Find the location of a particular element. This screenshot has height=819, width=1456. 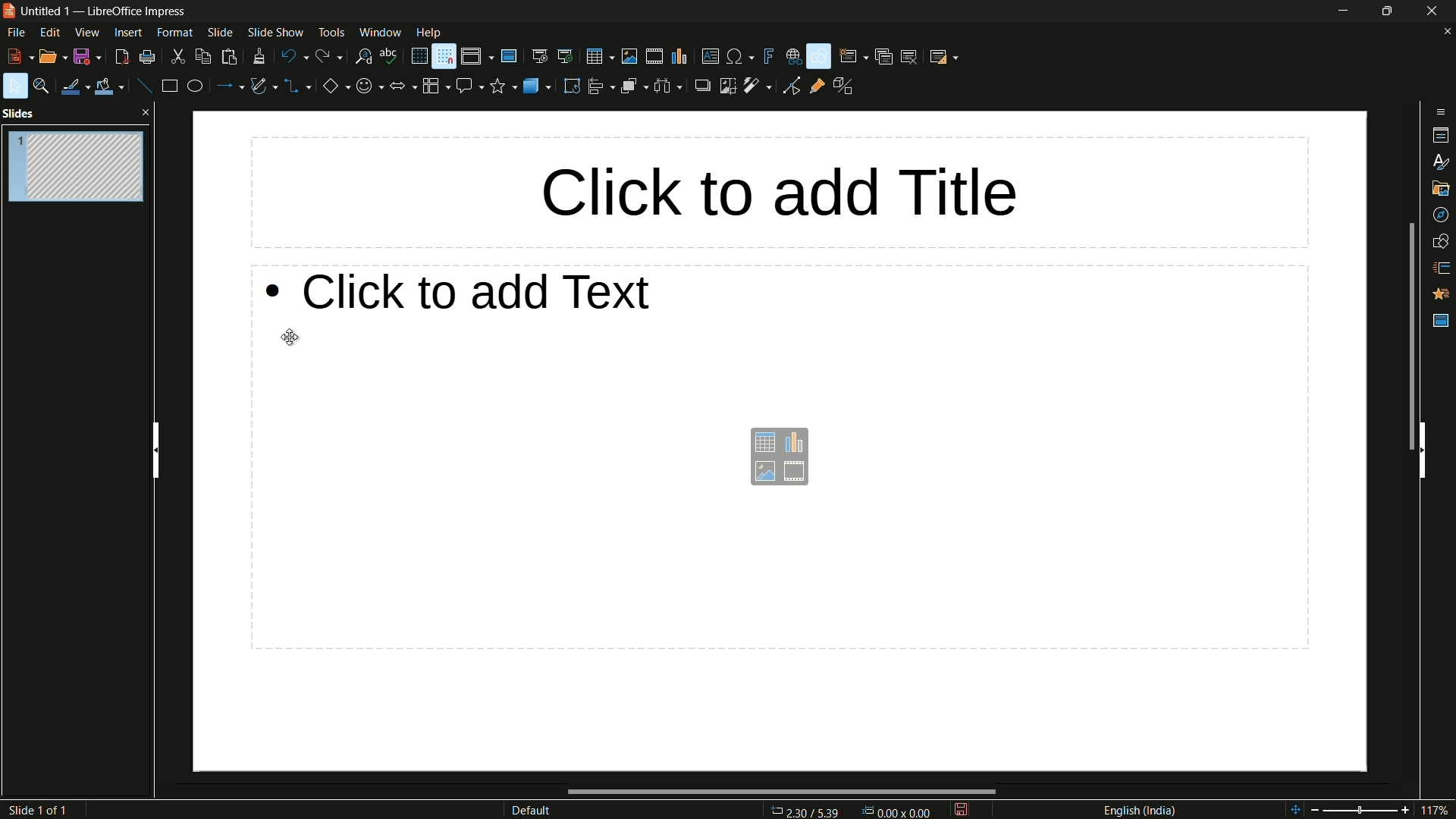

slide show menu is located at coordinates (275, 33).